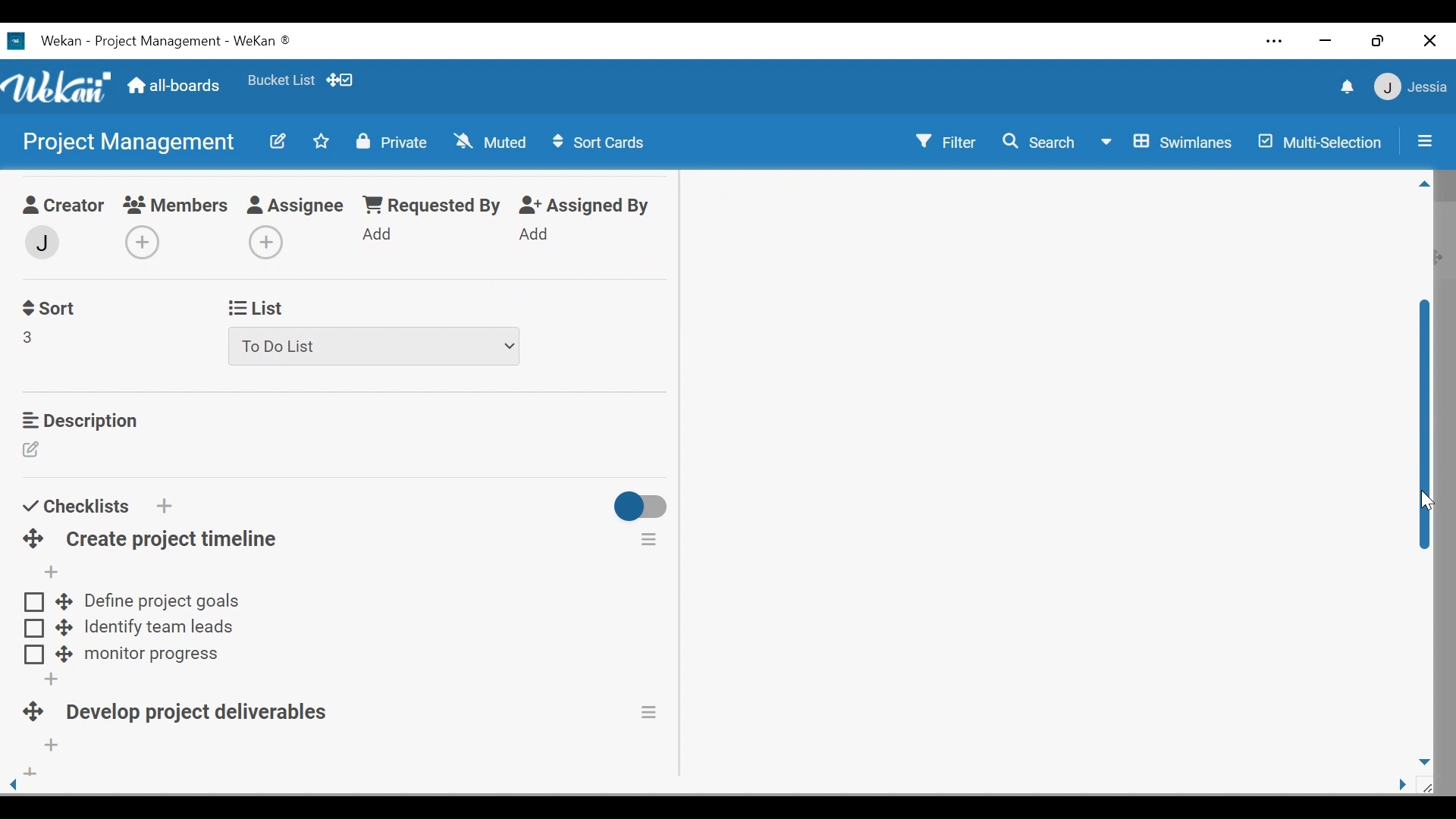 This screenshot has width=1456, height=819. Describe the element at coordinates (127, 141) in the screenshot. I see `Board name` at that location.